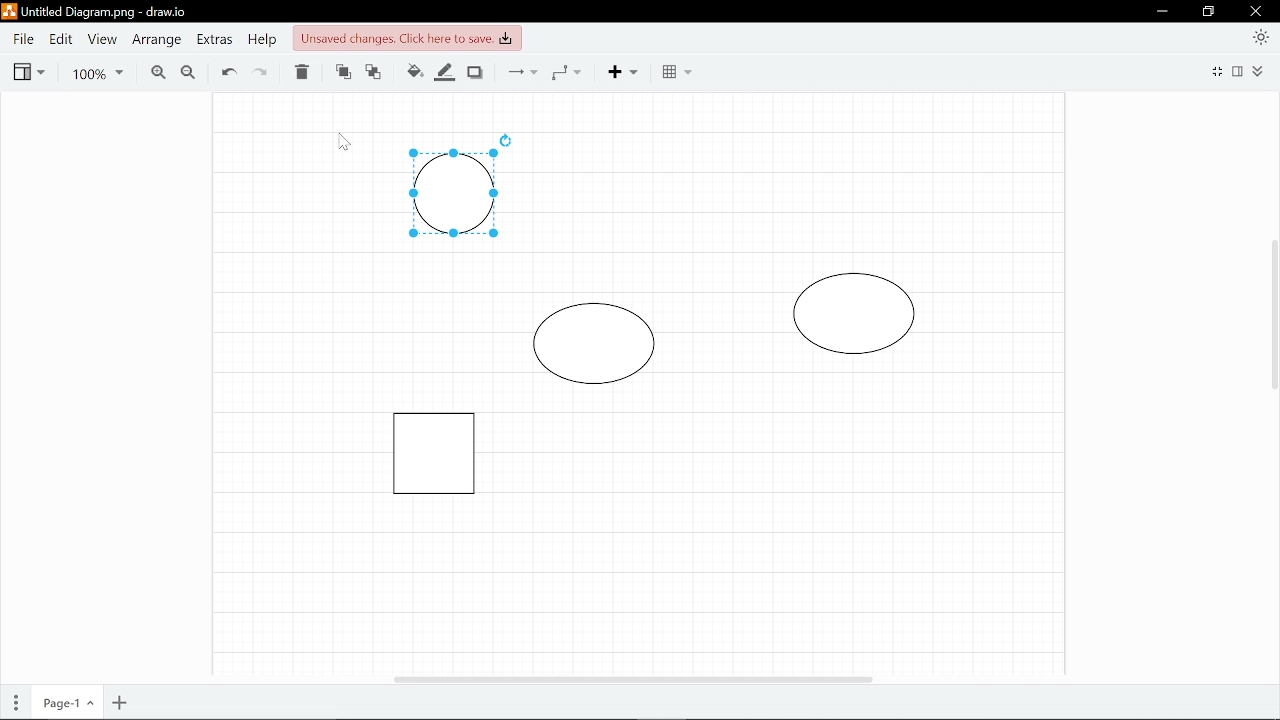 The height and width of the screenshot is (720, 1280). Describe the element at coordinates (634, 679) in the screenshot. I see `Horizontal scrollbar` at that location.